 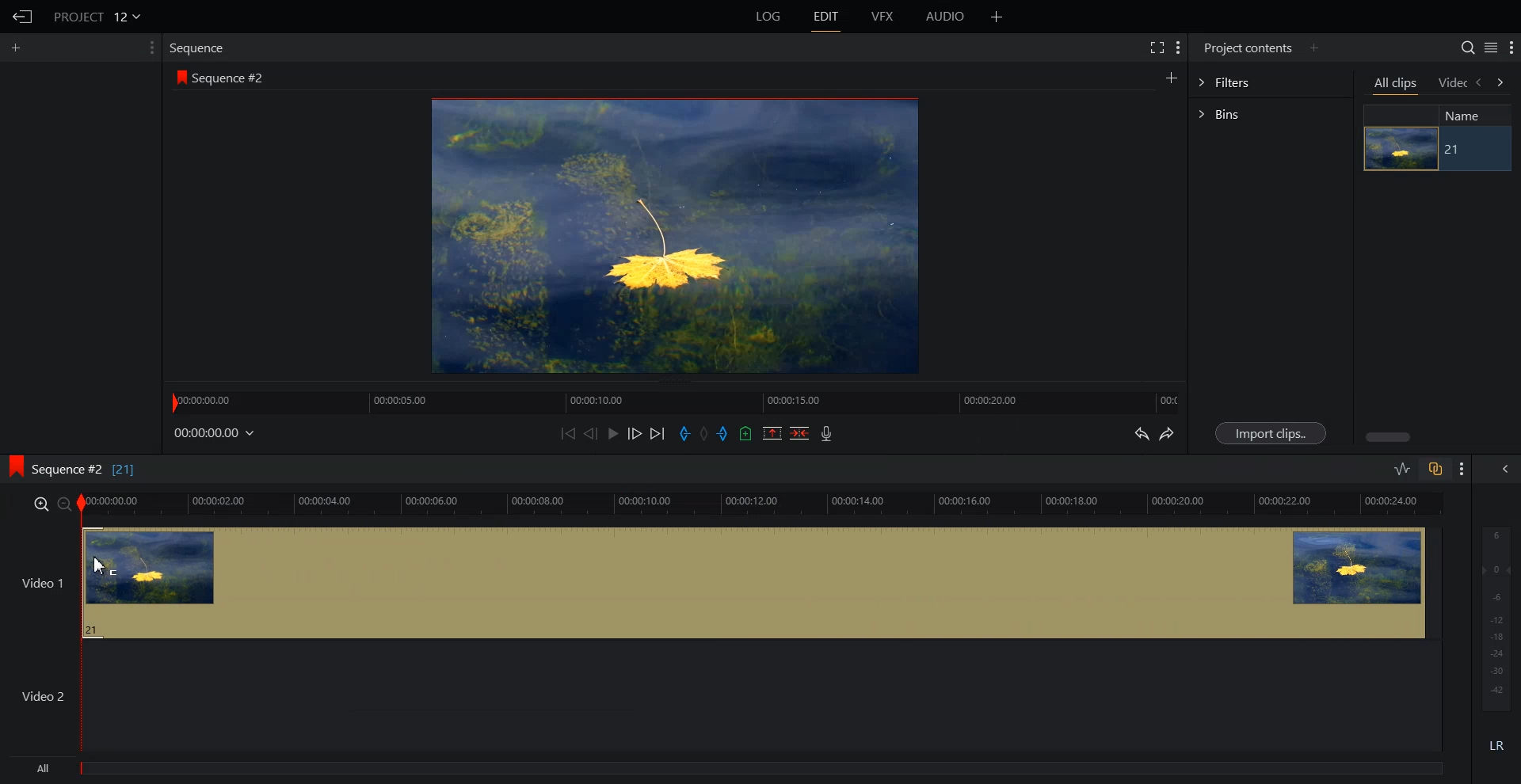 I want to click on Sequence #2, so click(x=233, y=78).